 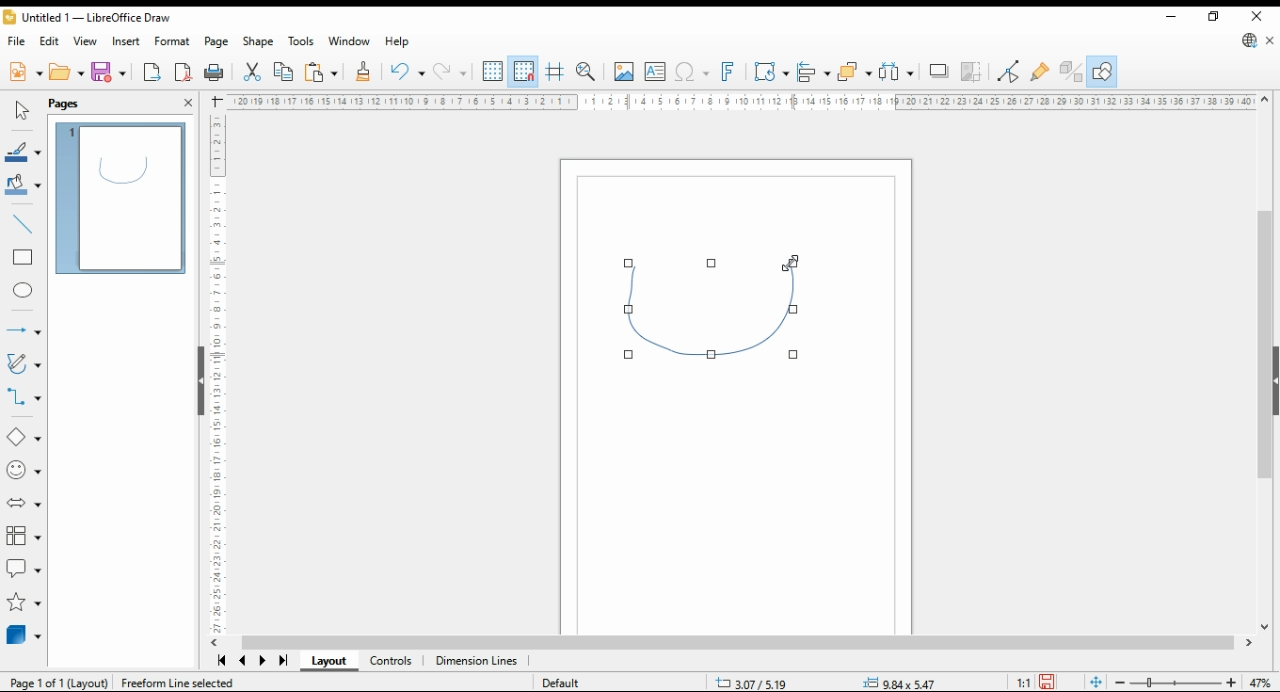 I want to click on clone formatting, so click(x=366, y=73).